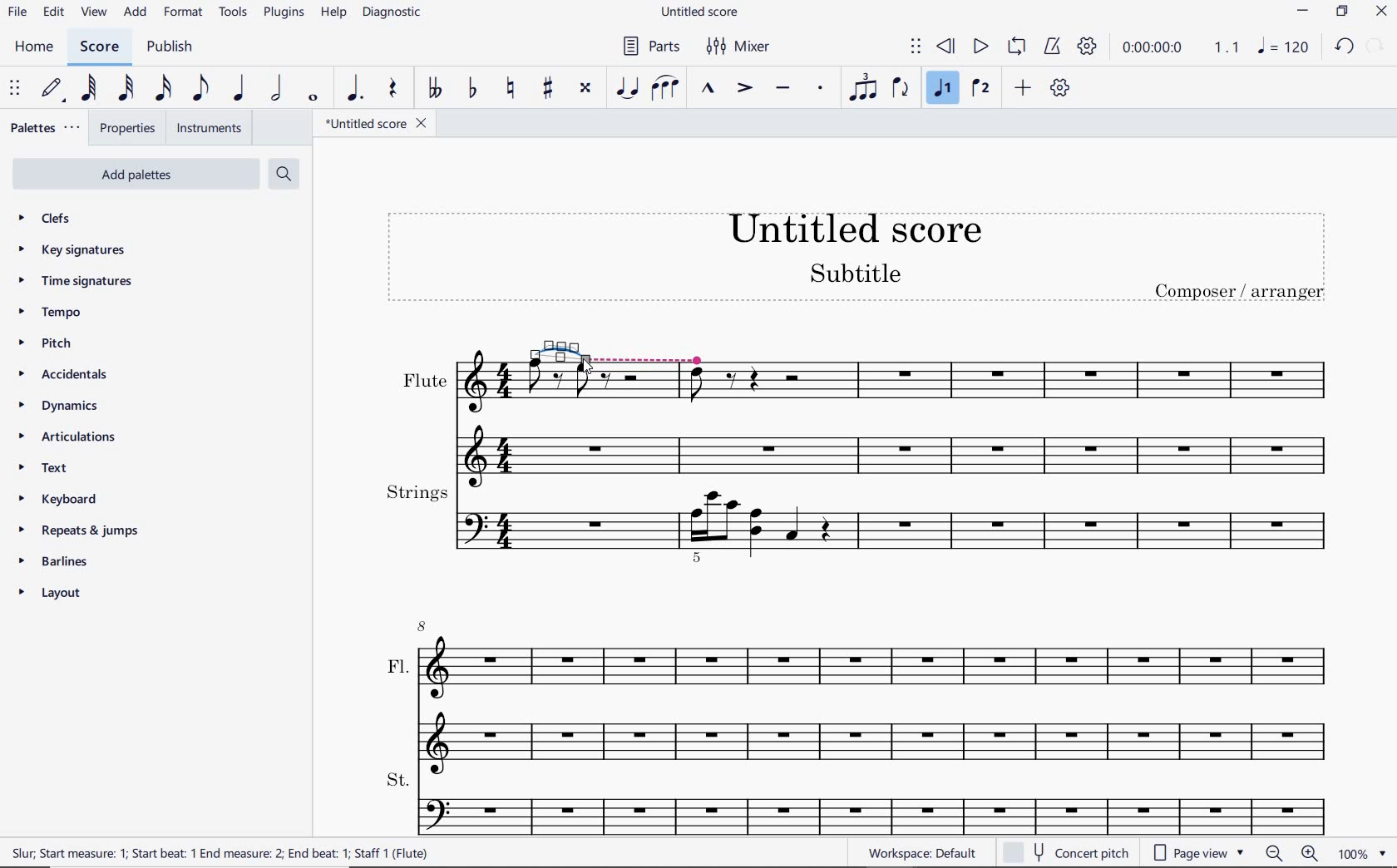 This screenshot has width=1397, height=868. Describe the element at coordinates (123, 89) in the screenshot. I see `32ND NOTE` at that location.